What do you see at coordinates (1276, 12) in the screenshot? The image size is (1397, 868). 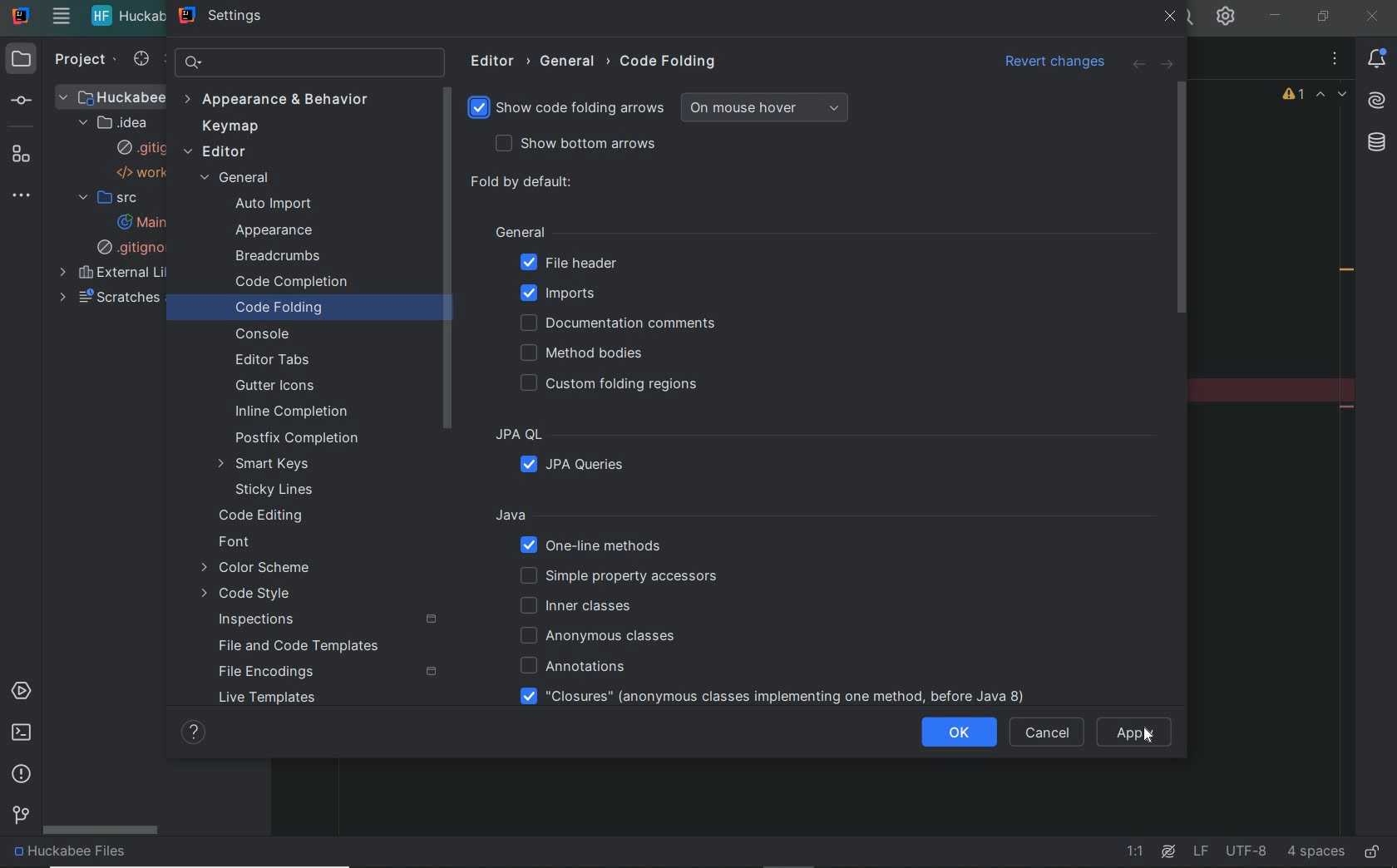 I see `minimize` at bounding box center [1276, 12].